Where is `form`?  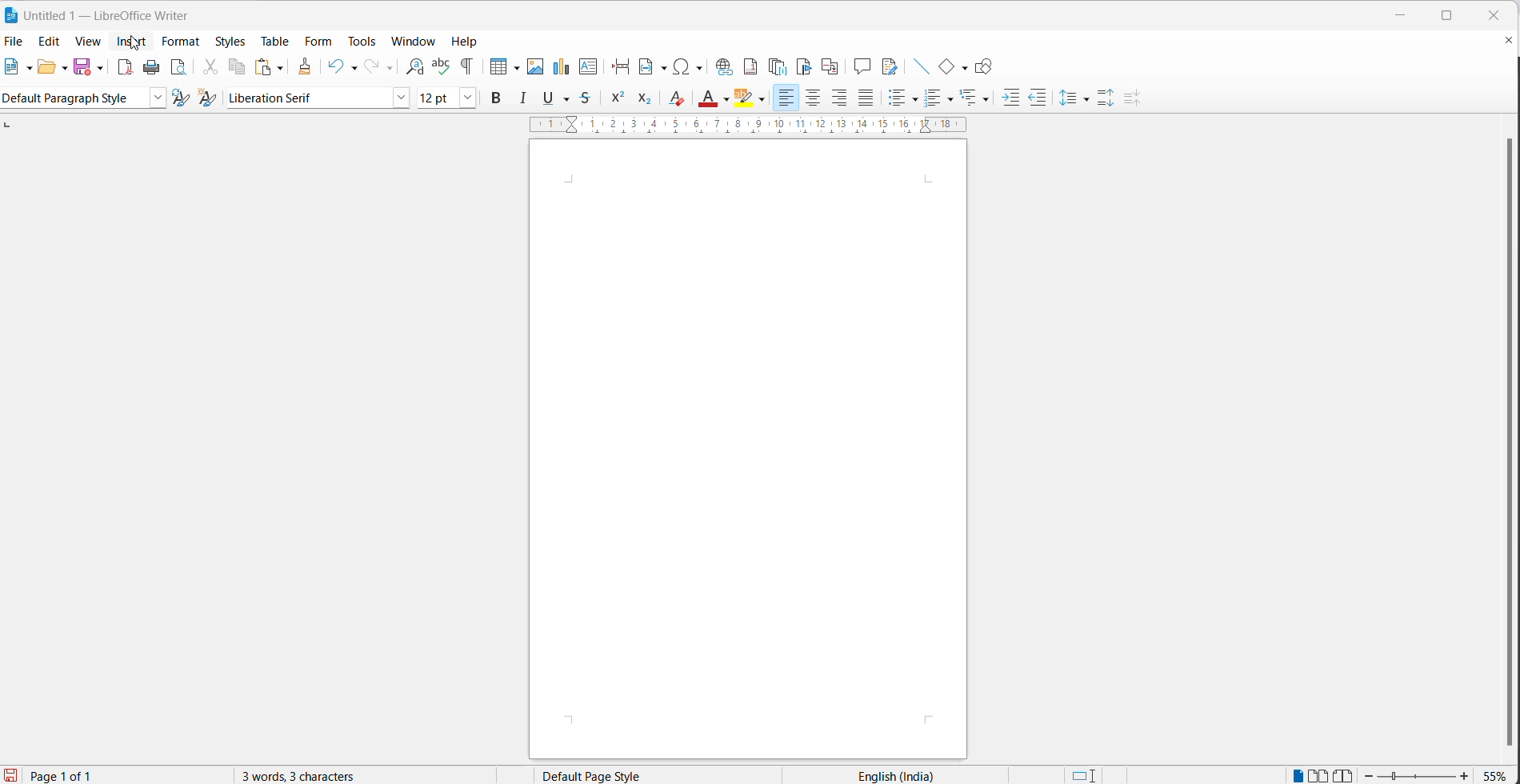
form is located at coordinates (318, 42).